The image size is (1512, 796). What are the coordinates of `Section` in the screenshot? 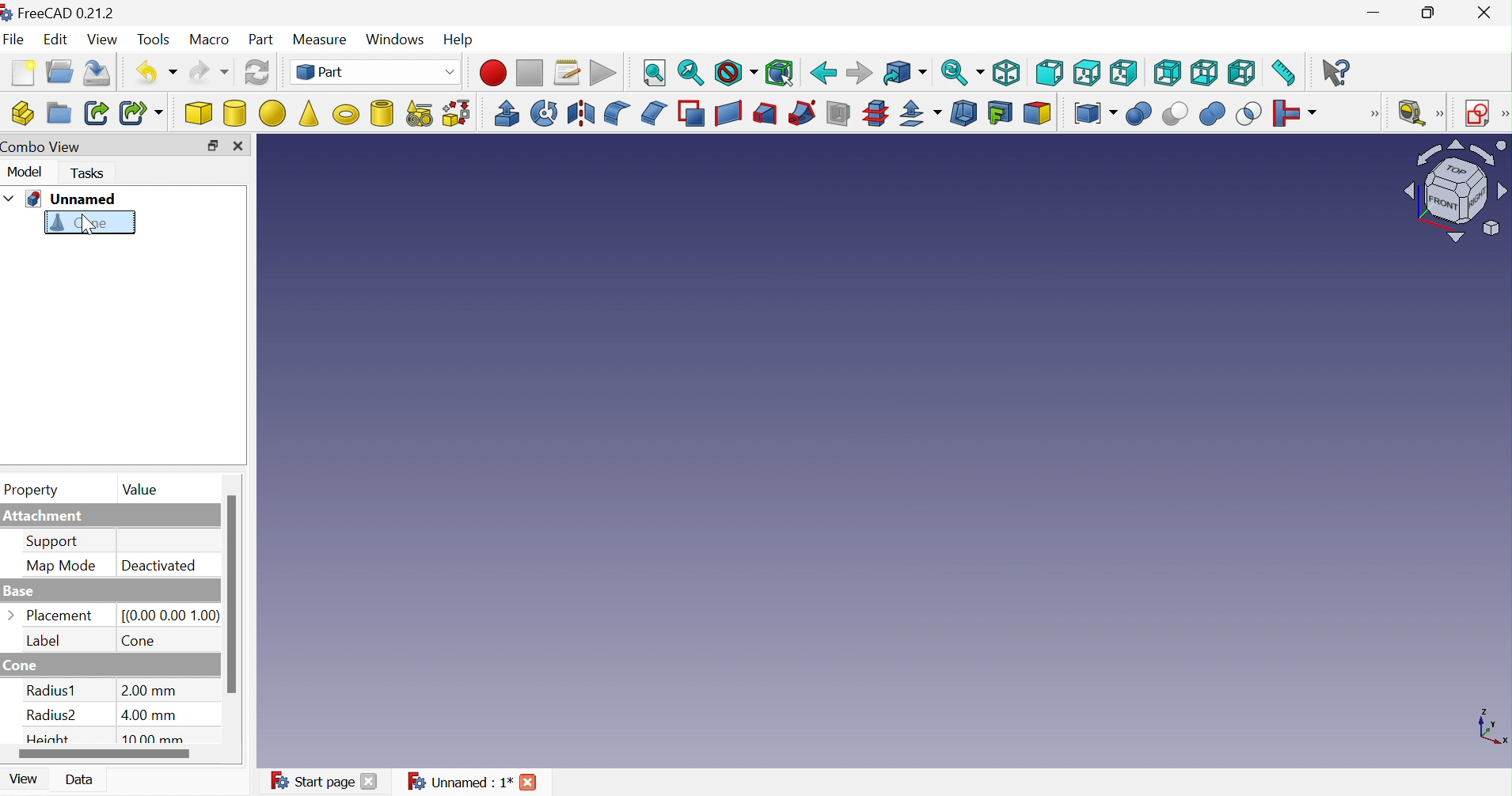 It's located at (837, 113).